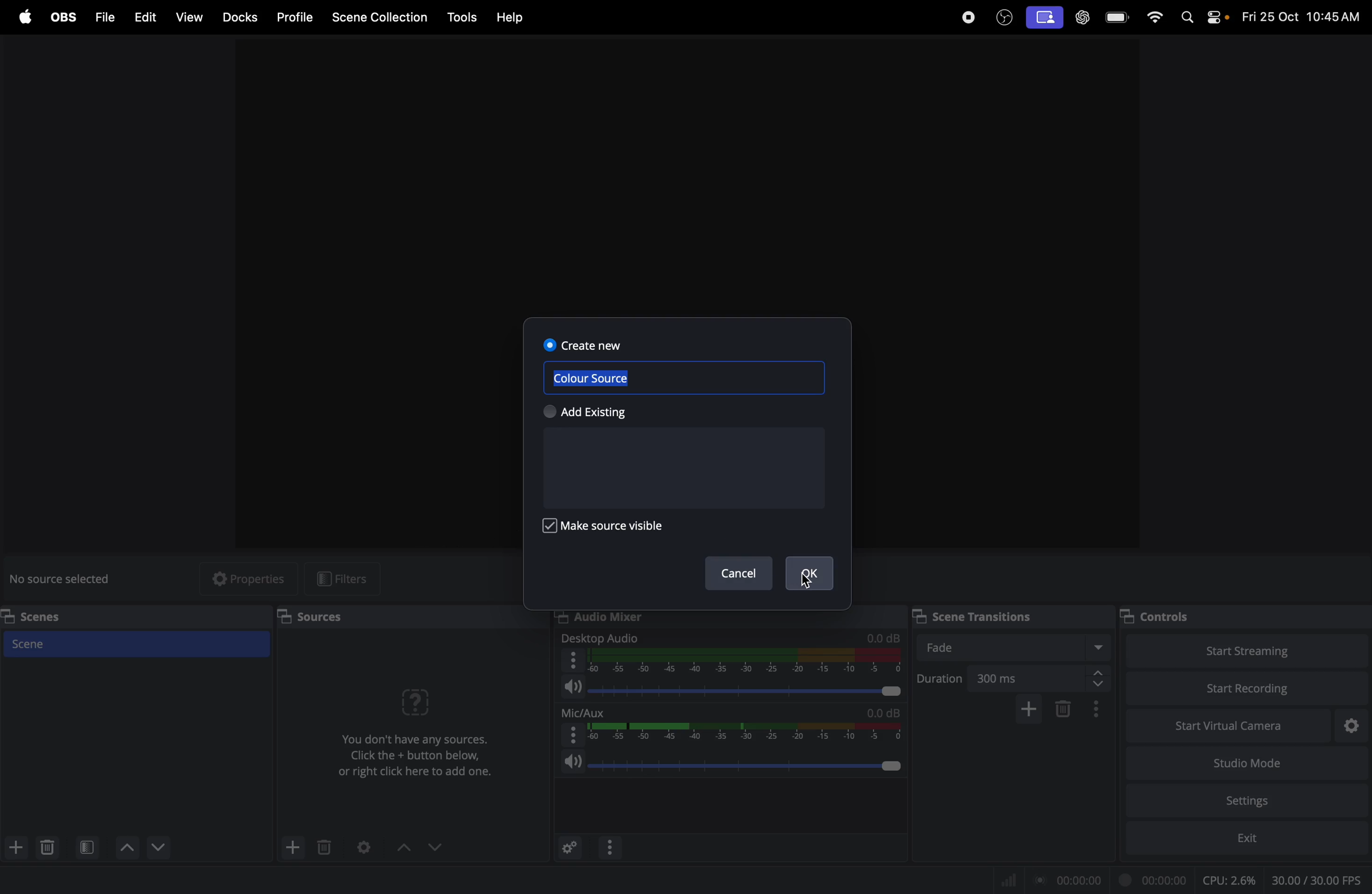  What do you see at coordinates (1041, 678) in the screenshot?
I see `300ms` at bounding box center [1041, 678].